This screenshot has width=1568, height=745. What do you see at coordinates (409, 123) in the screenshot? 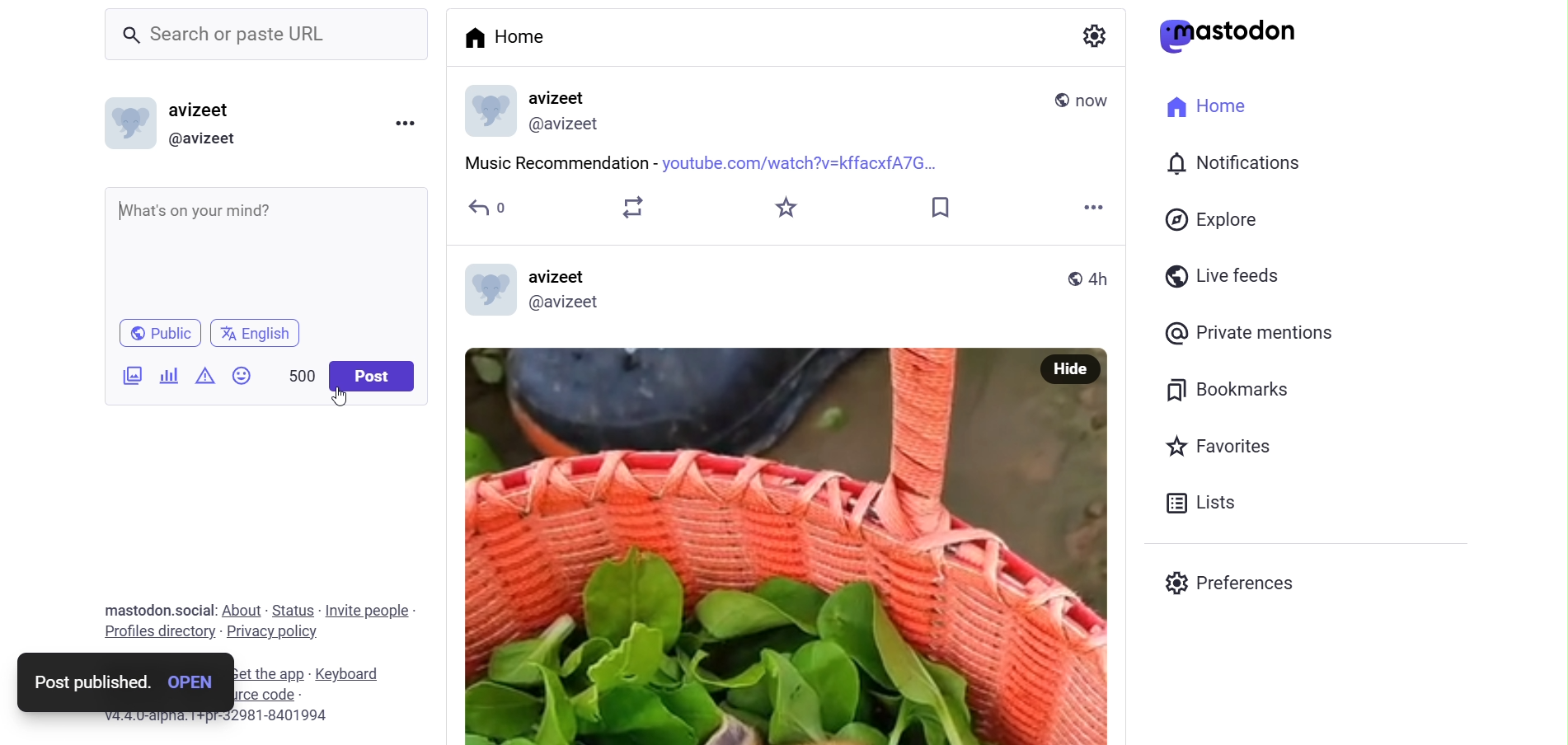
I see `Menu` at bounding box center [409, 123].